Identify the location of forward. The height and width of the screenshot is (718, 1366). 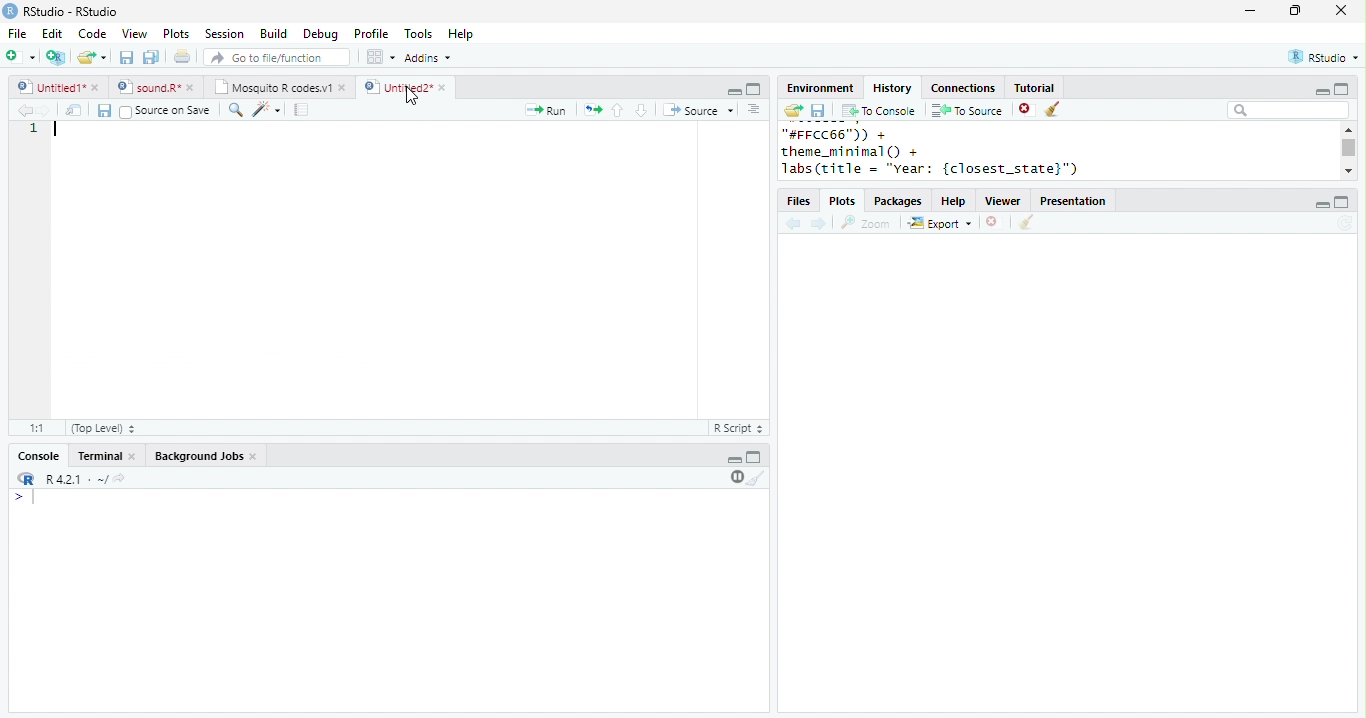
(44, 110).